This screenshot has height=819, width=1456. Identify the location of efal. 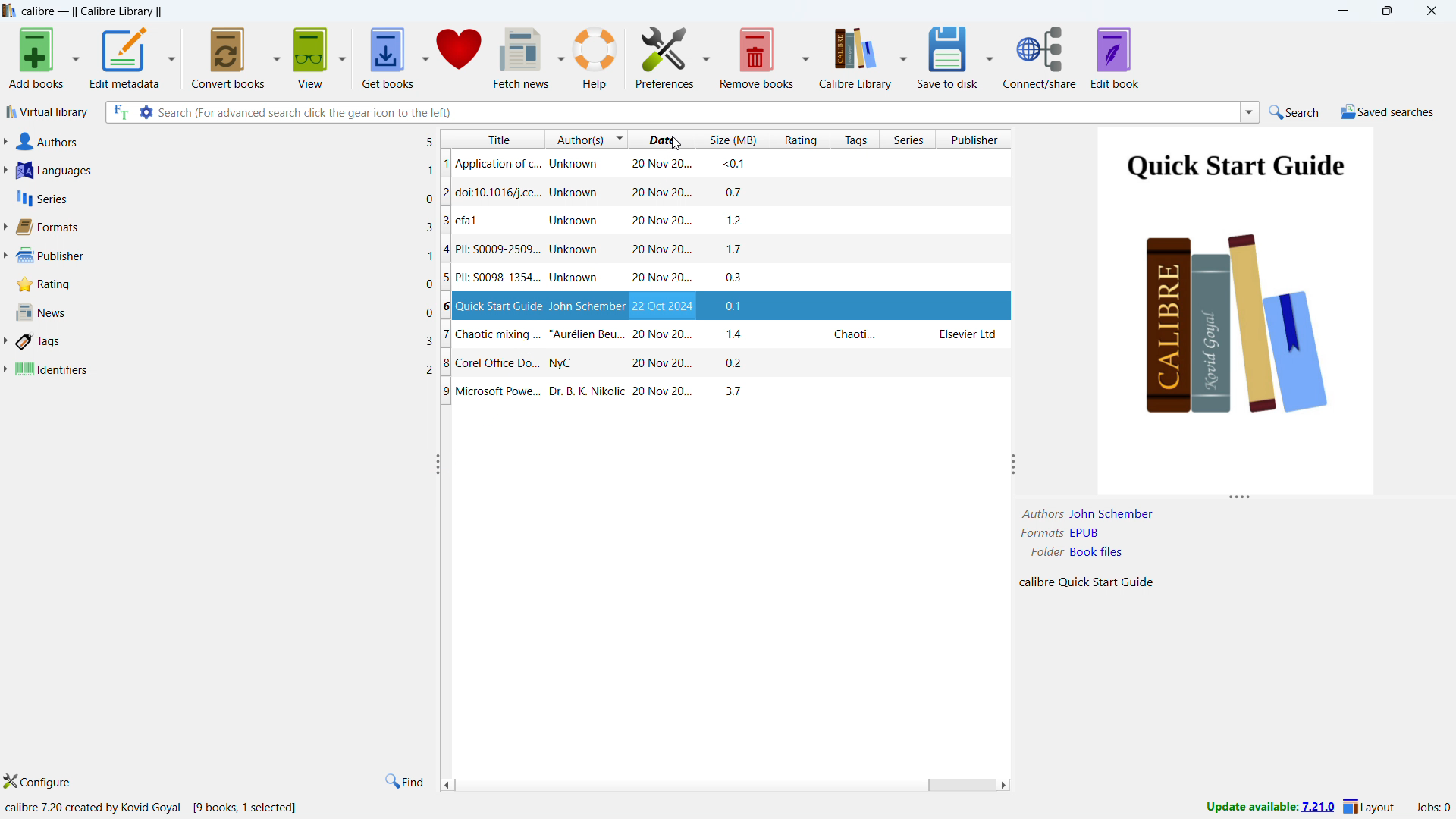
(479, 221).